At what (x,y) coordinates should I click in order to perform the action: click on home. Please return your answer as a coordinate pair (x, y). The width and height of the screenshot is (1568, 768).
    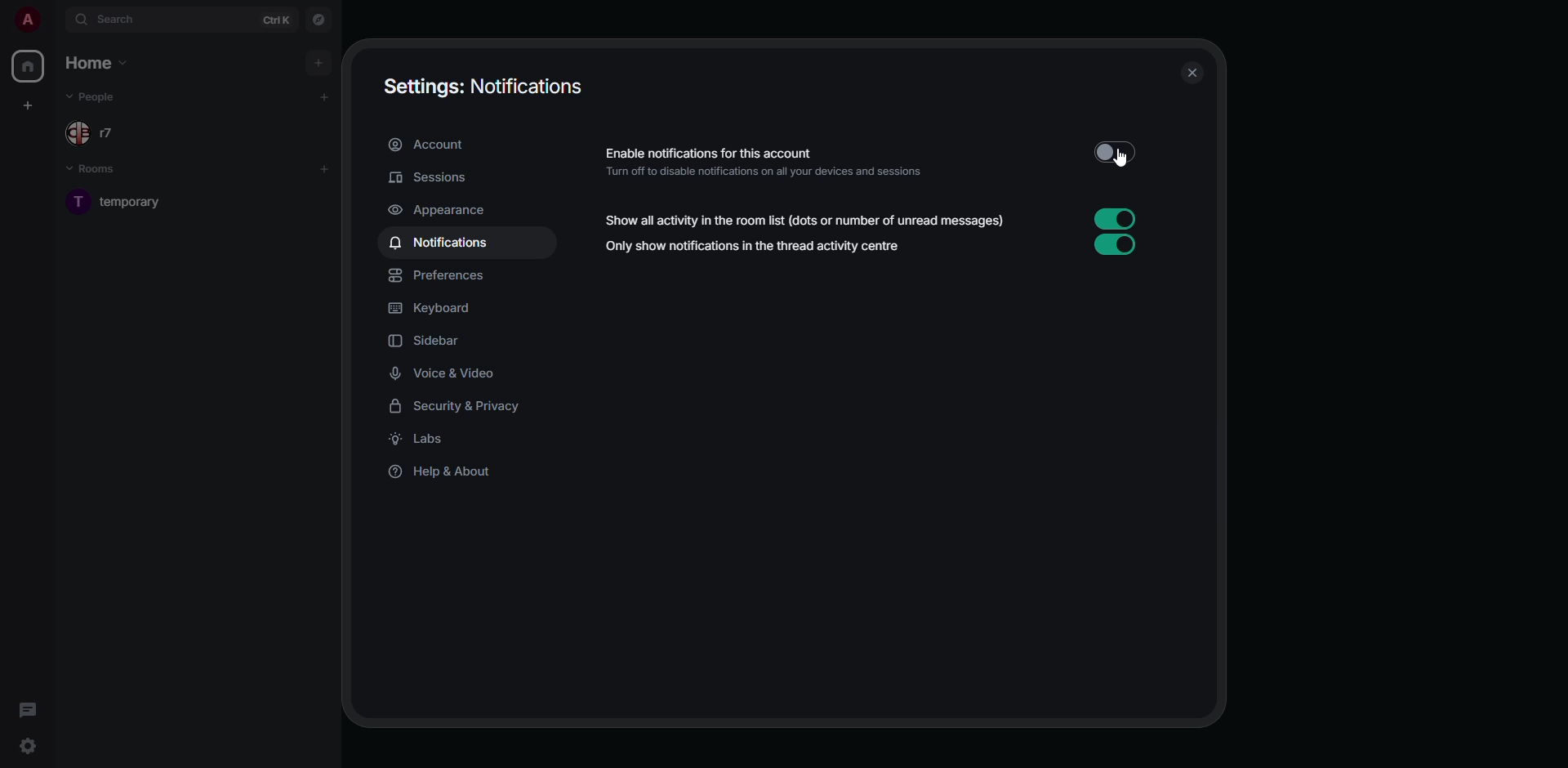
    Looking at the image, I should click on (28, 68).